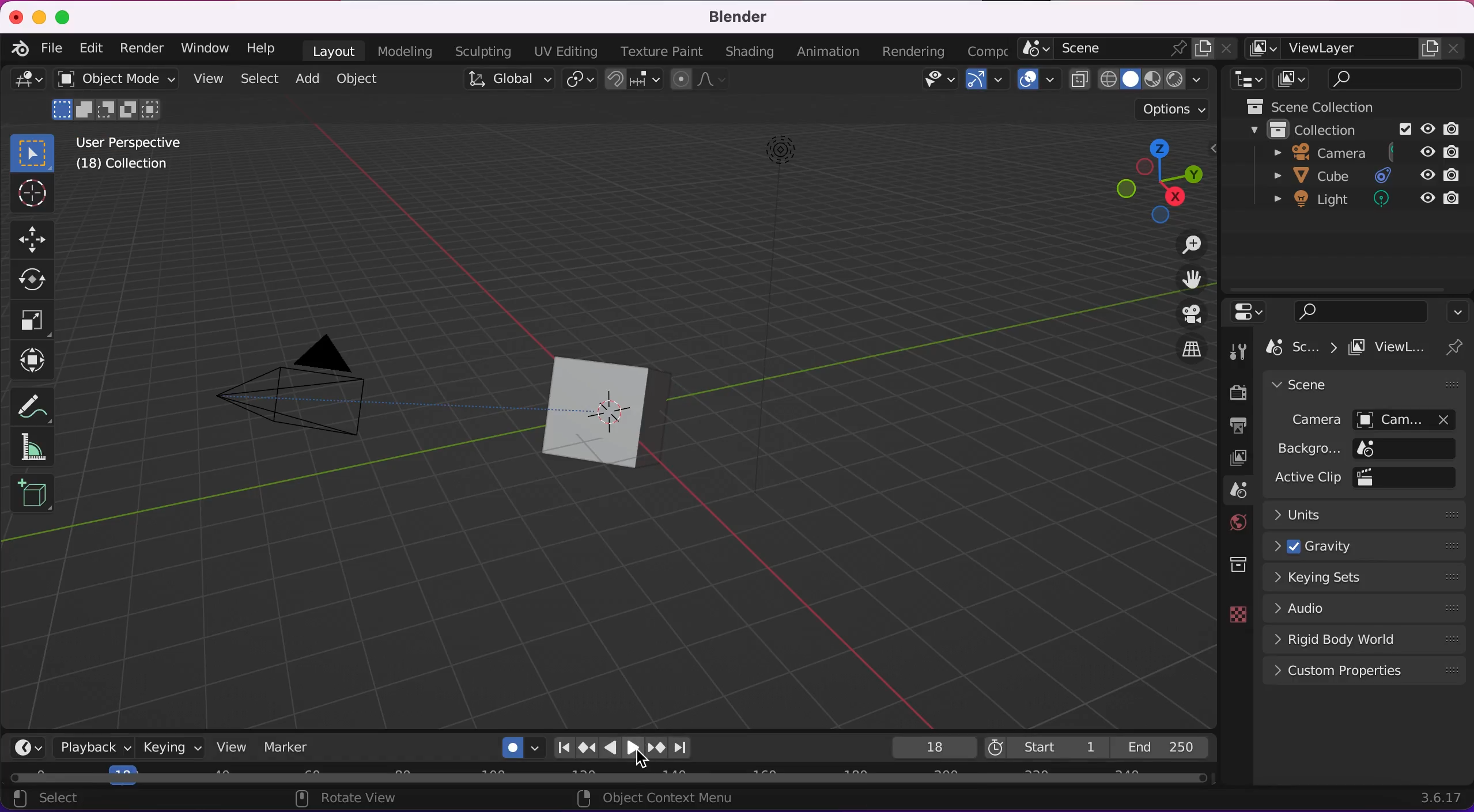 This screenshot has width=1474, height=812. I want to click on active clip, so click(1360, 478).